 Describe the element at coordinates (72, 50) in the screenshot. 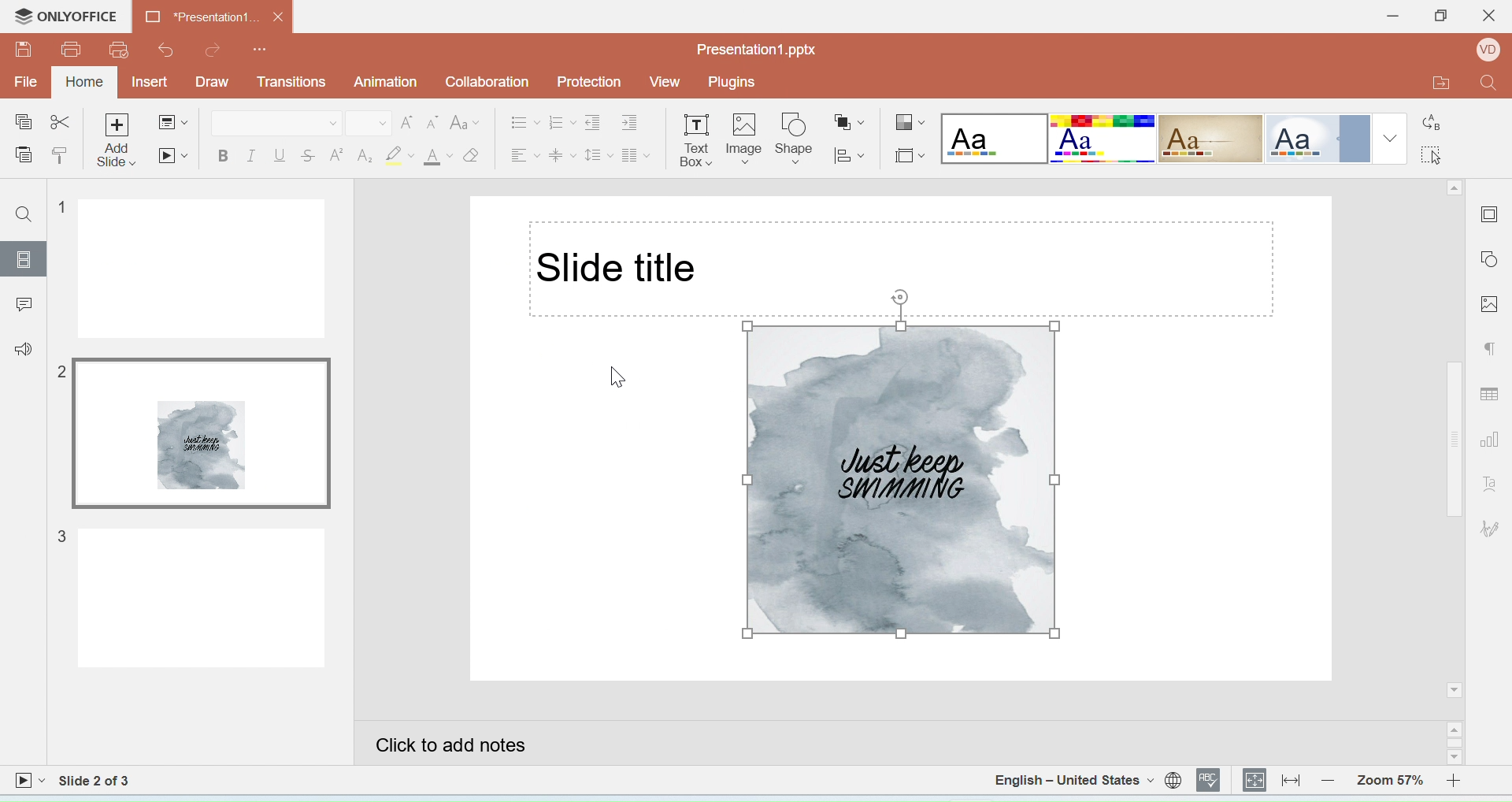

I see `Print file` at that location.